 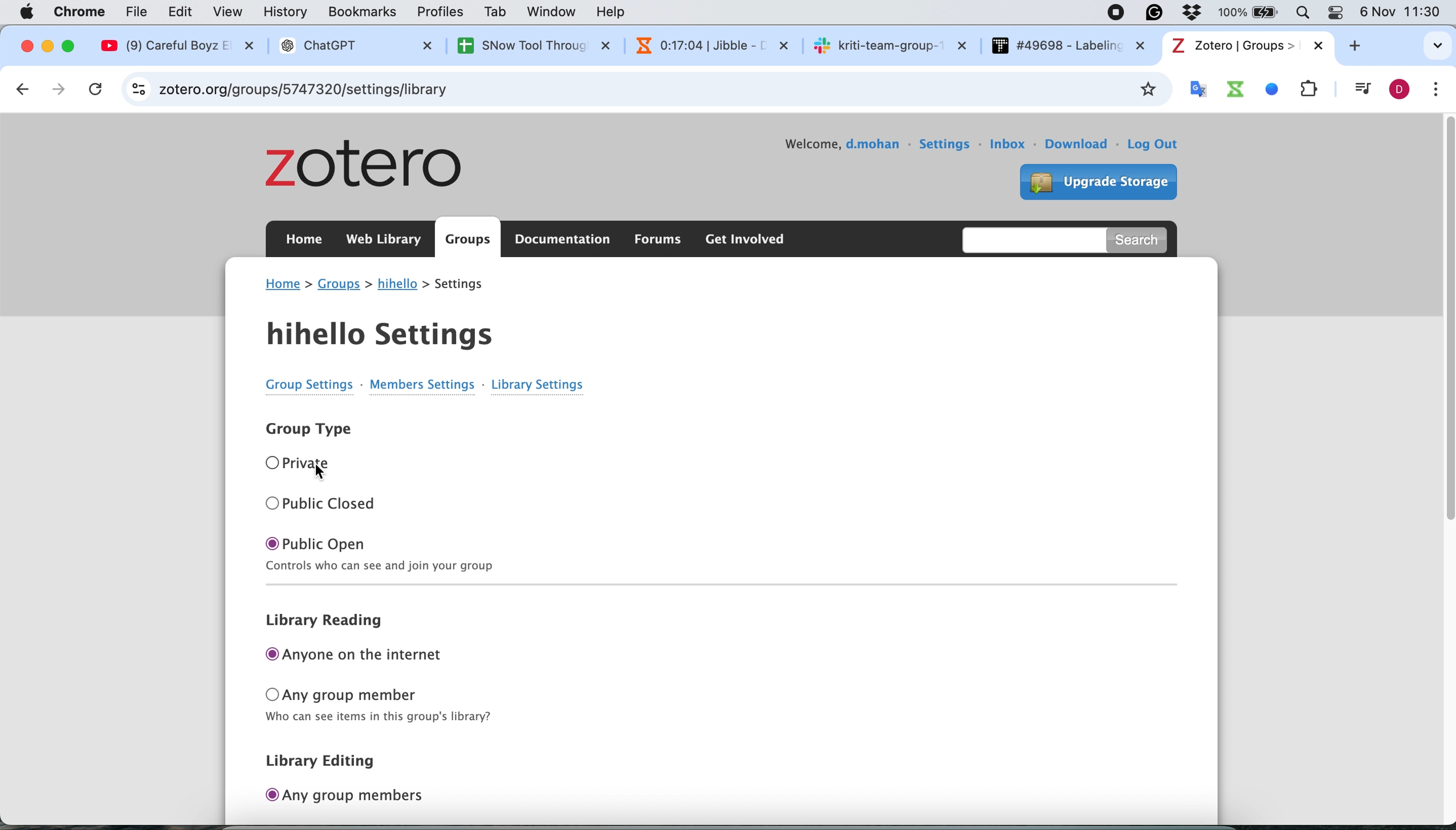 What do you see at coordinates (321, 501) in the screenshot?
I see `O Public Closed` at bounding box center [321, 501].